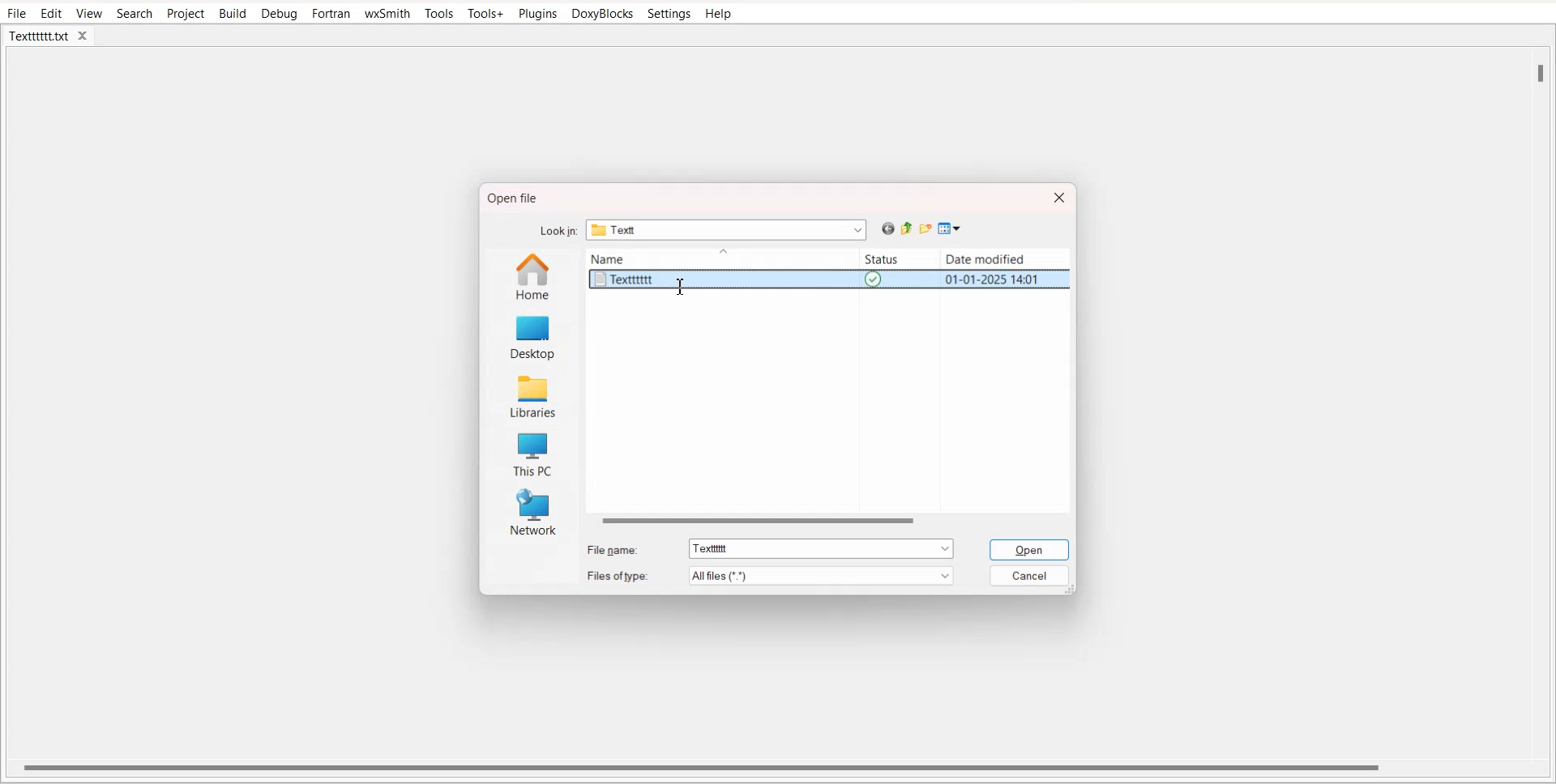  I want to click on Lock in, so click(703, 229).